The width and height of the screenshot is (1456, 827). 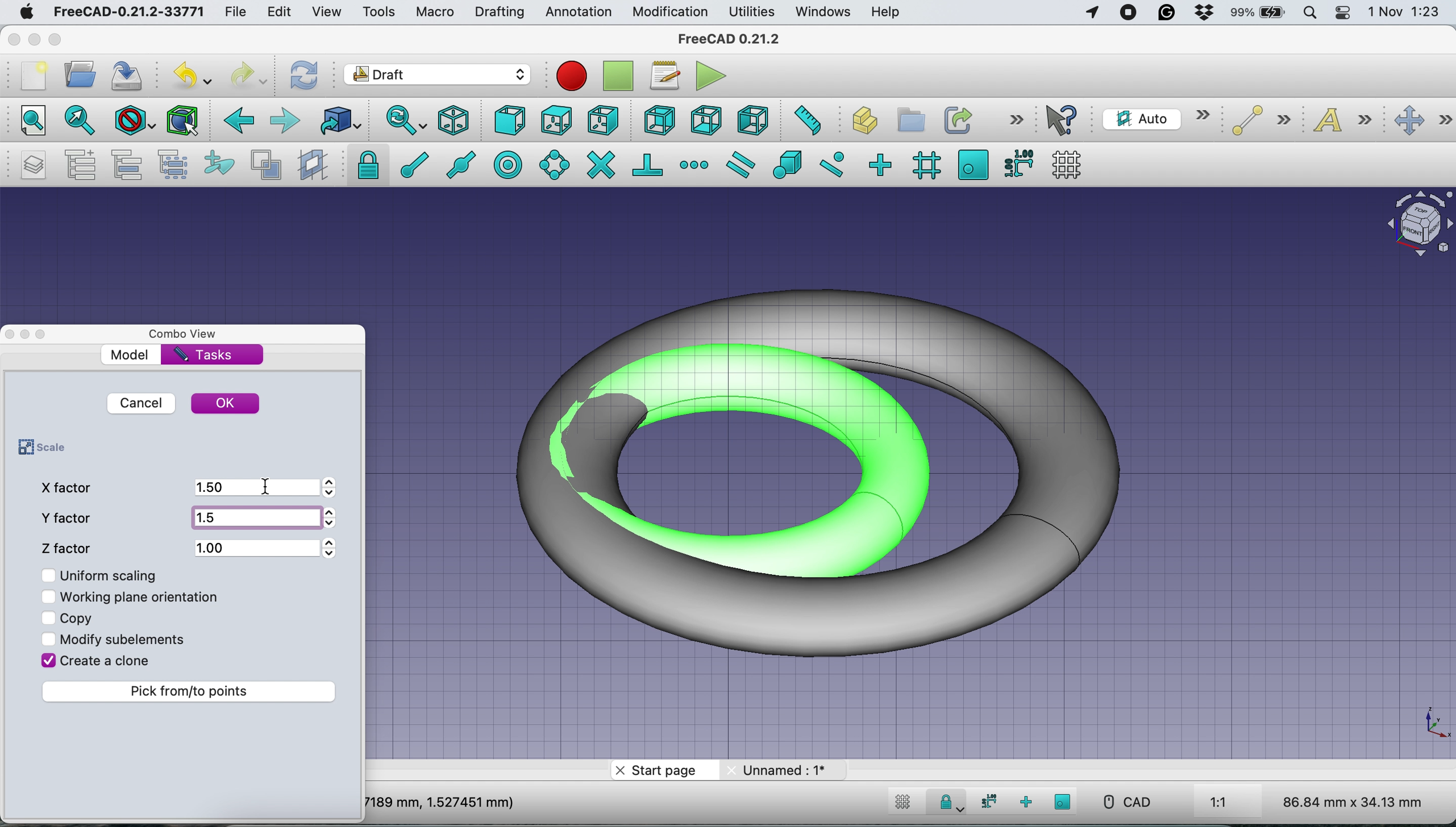 What do you see at coordinates (1155, 118) in the screenshot?
I see `current working plane` at bounding box center [1155, 118].